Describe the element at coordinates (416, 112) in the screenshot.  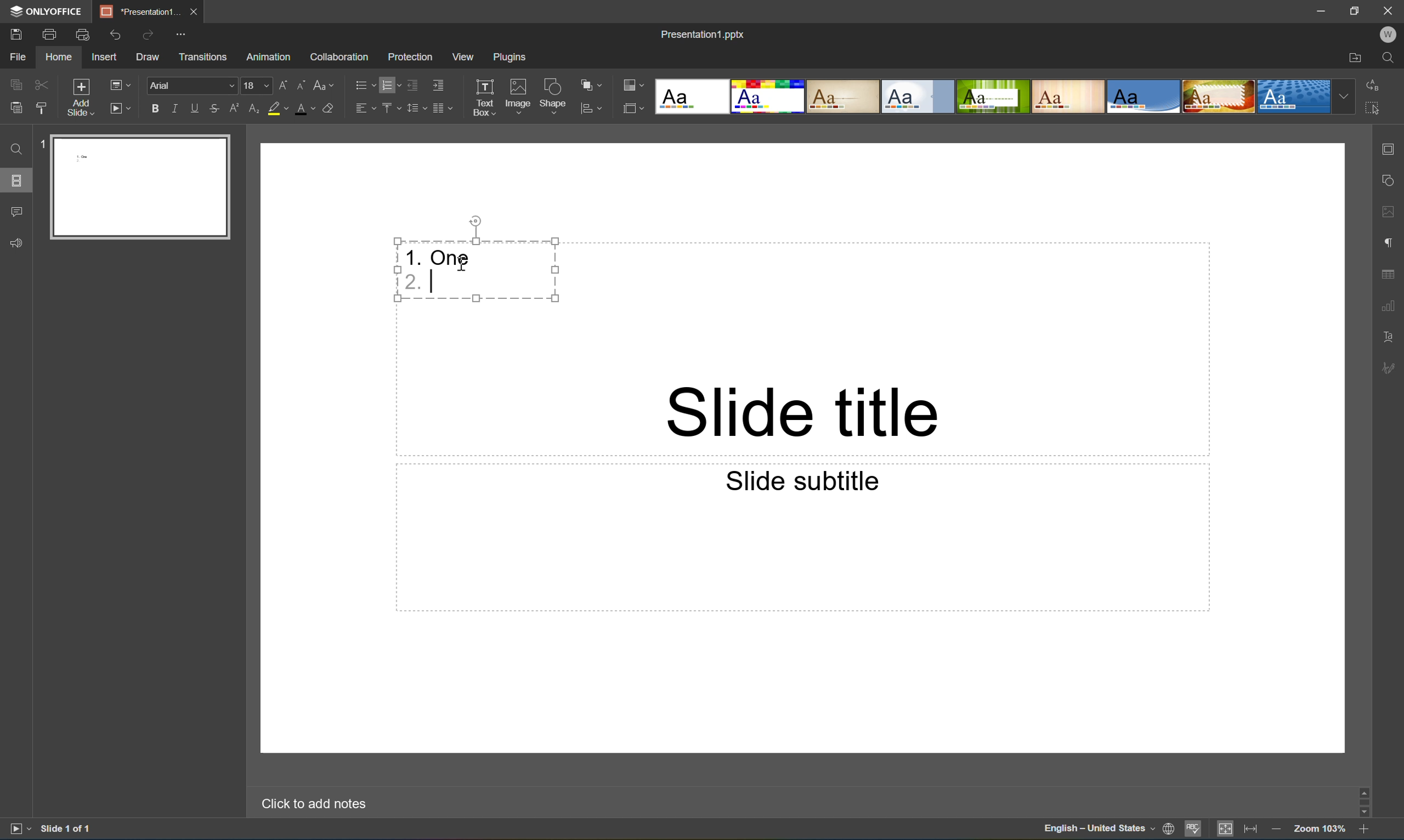
I see `Line spacing` at that location.